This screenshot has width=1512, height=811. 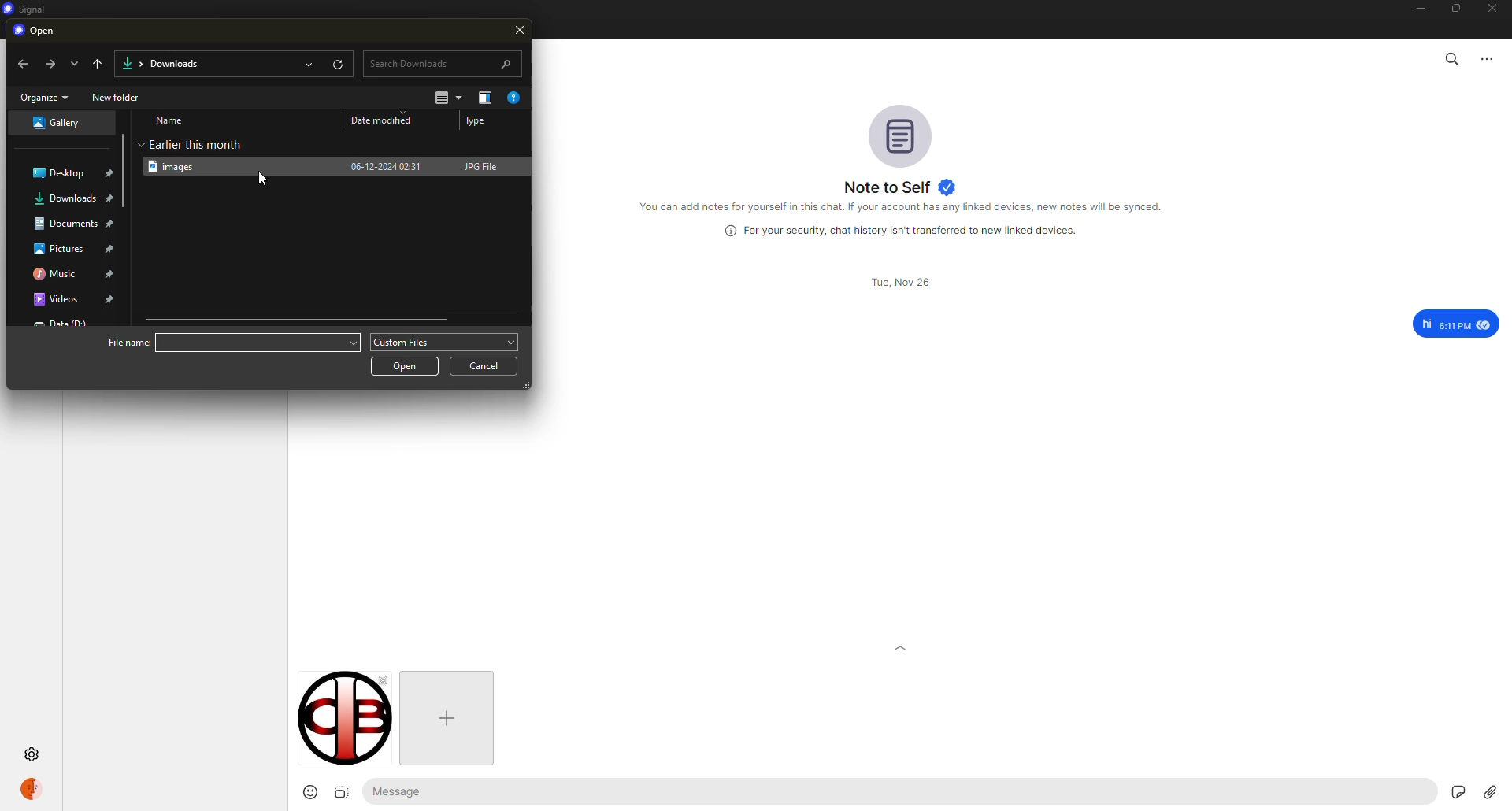 I want to click on image, so click(x=177, y=166).